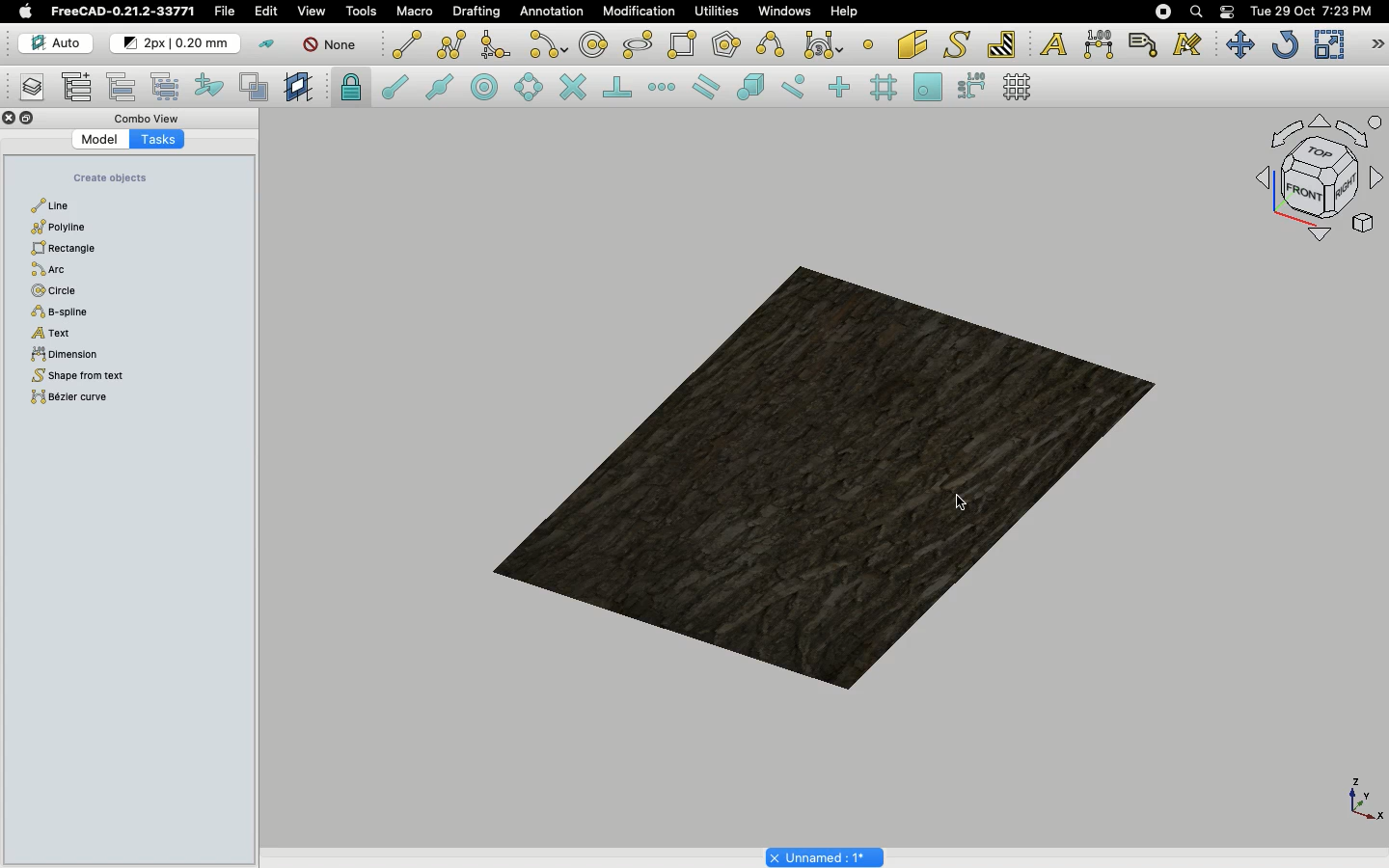 This screenshot has width=1389, height=868. What do you see at coordinates (1097, 43) in the screenshot?
I see `Dimension` at bounding box center [1097, 43].